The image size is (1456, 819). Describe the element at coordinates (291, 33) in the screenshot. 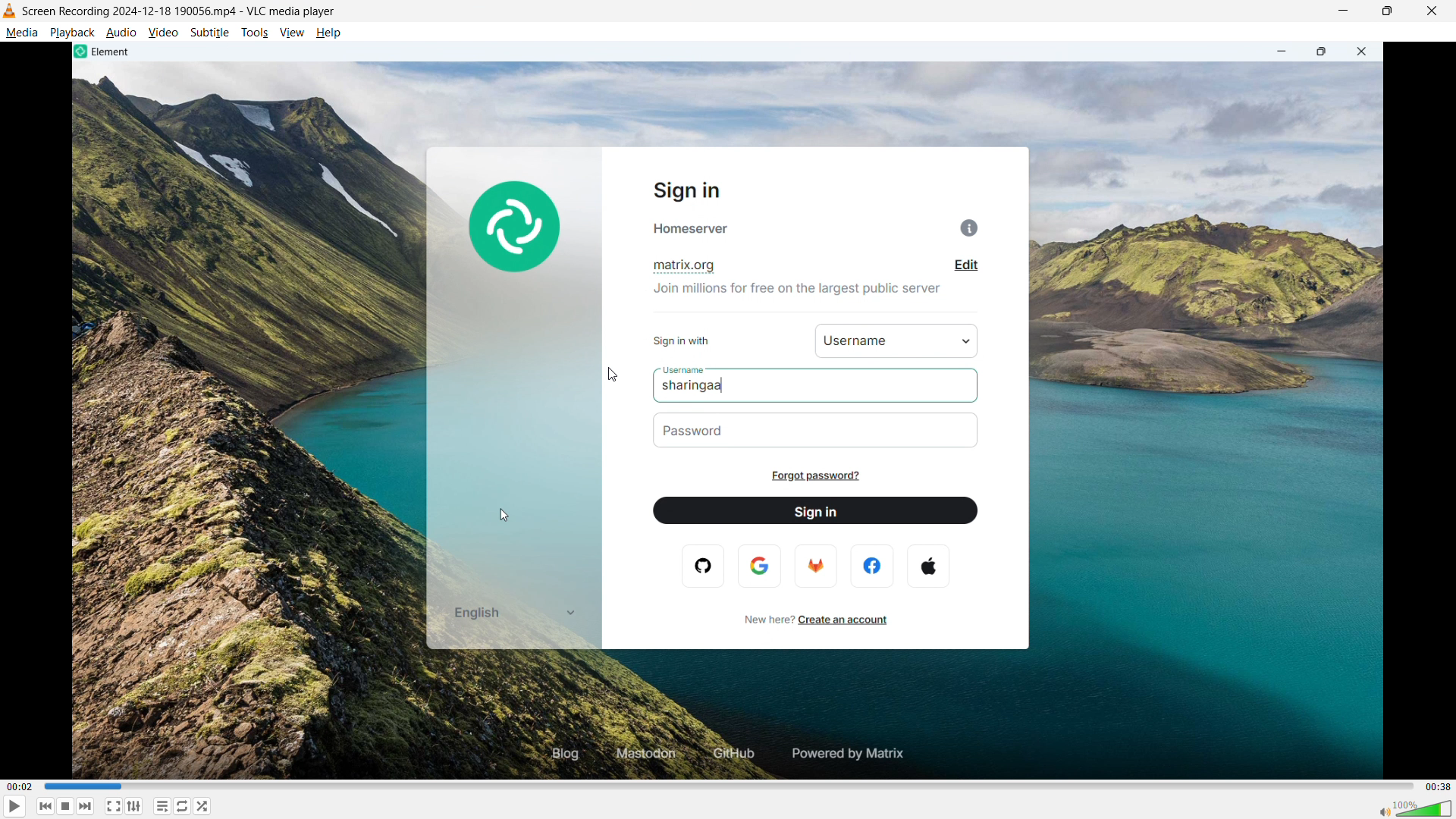

I see `View ` at that location.